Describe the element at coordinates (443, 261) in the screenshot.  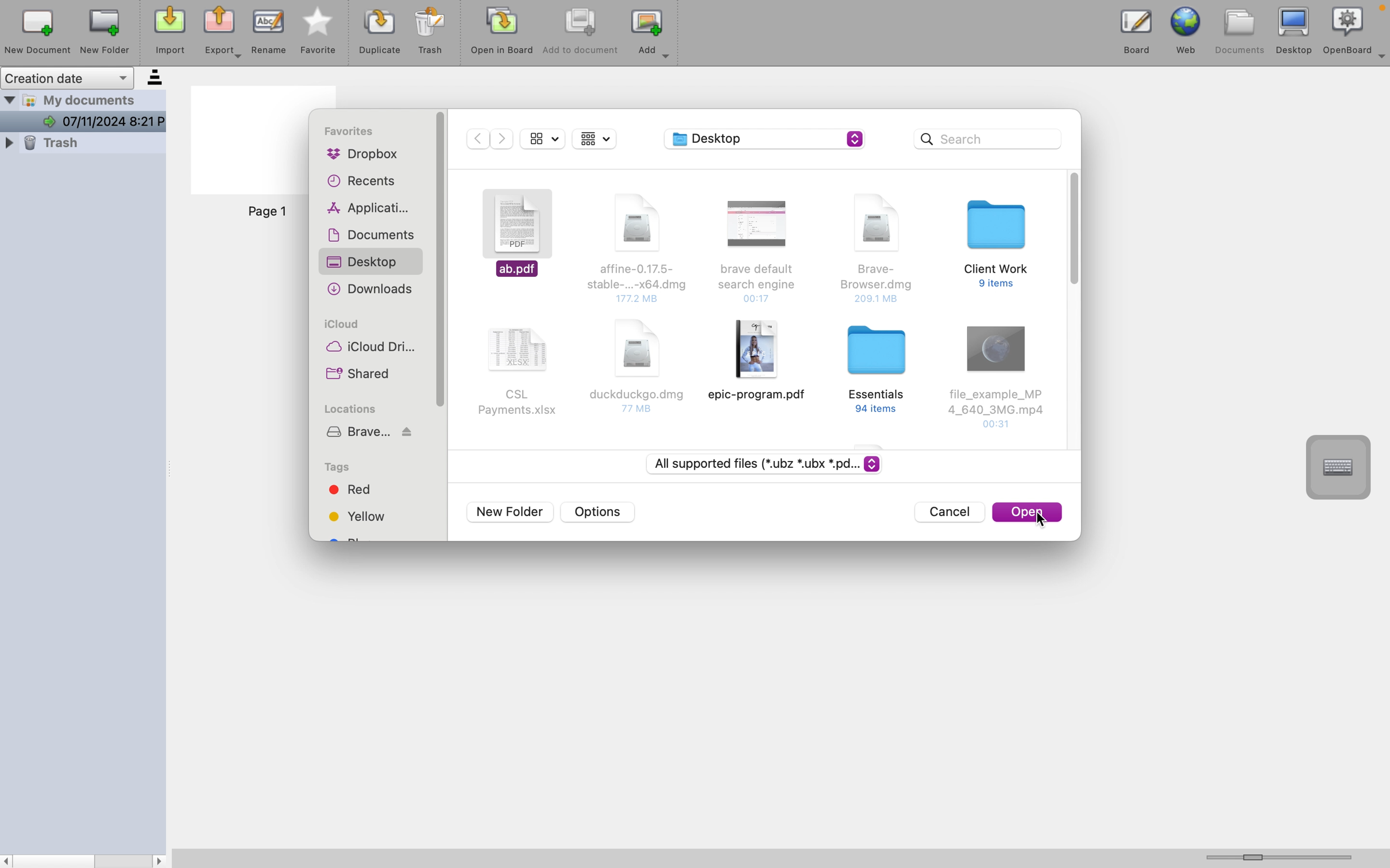
I see `sidebar vertical scroll bar` at that location.